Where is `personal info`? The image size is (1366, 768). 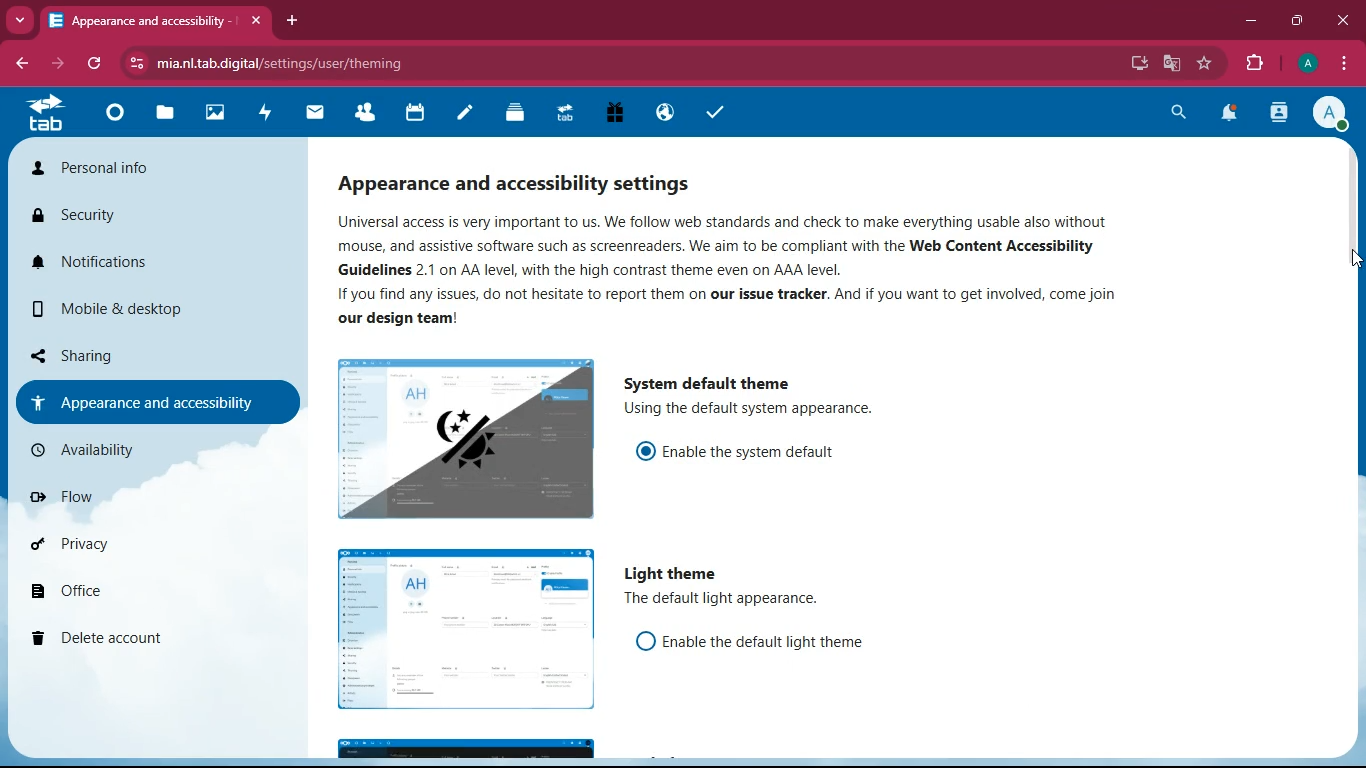
personal info is located at coordinates (153, 173).